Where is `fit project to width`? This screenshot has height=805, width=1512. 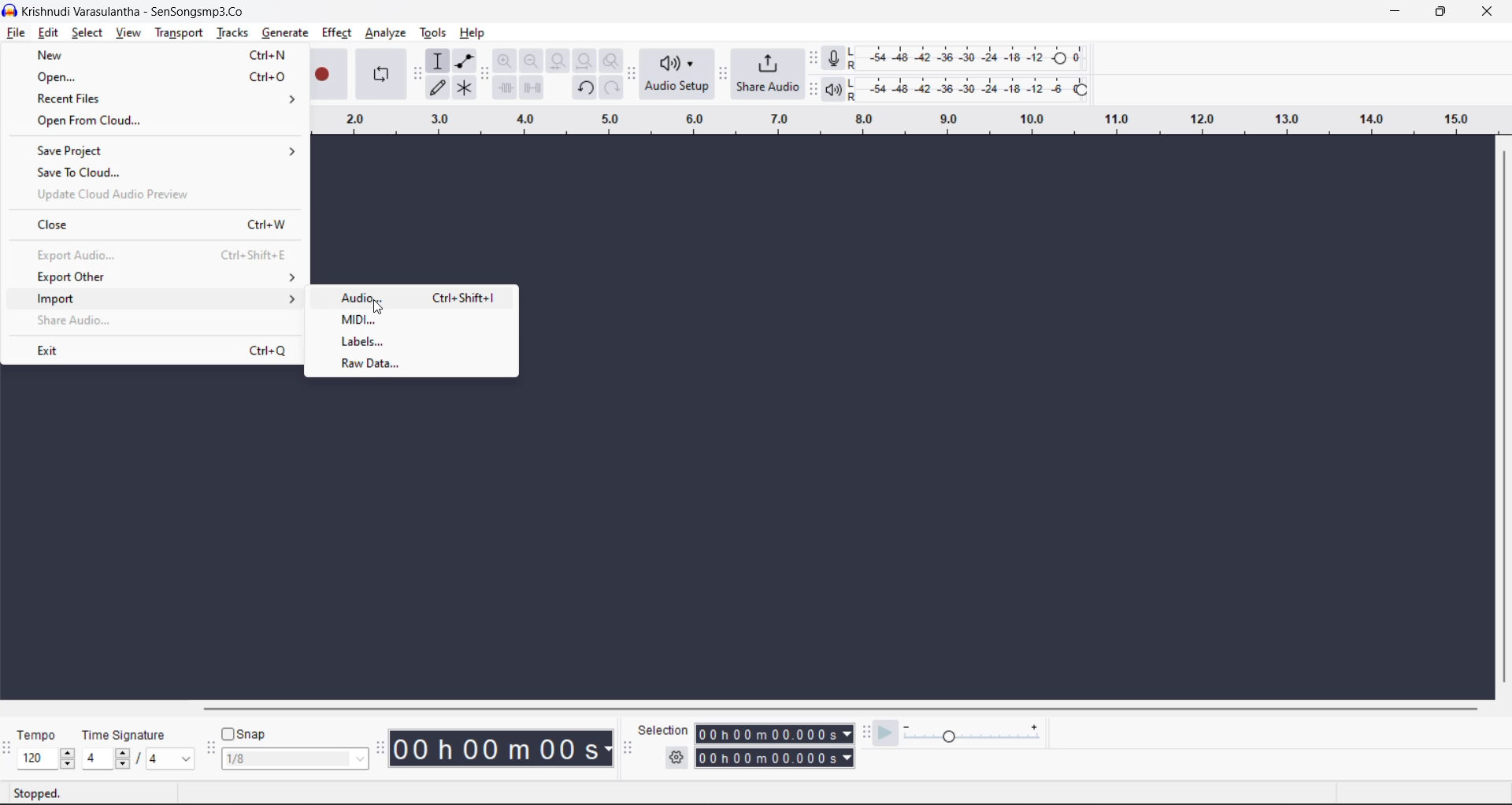
fit project to width is located at coordinates (587, 62).